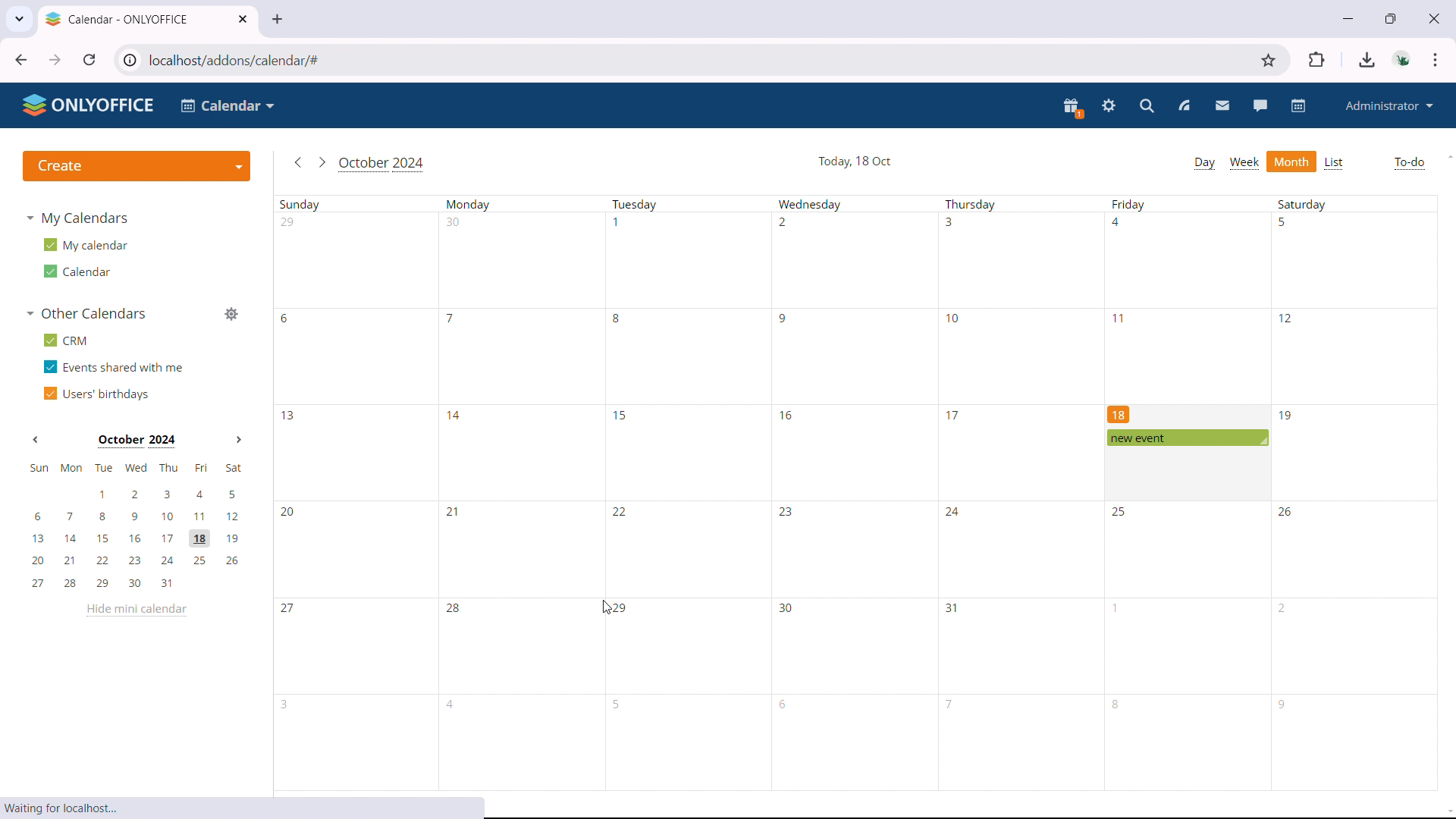 The height and width of the screenshot is (819, 1456). I want to click on mini calendar, so click(136, 528).